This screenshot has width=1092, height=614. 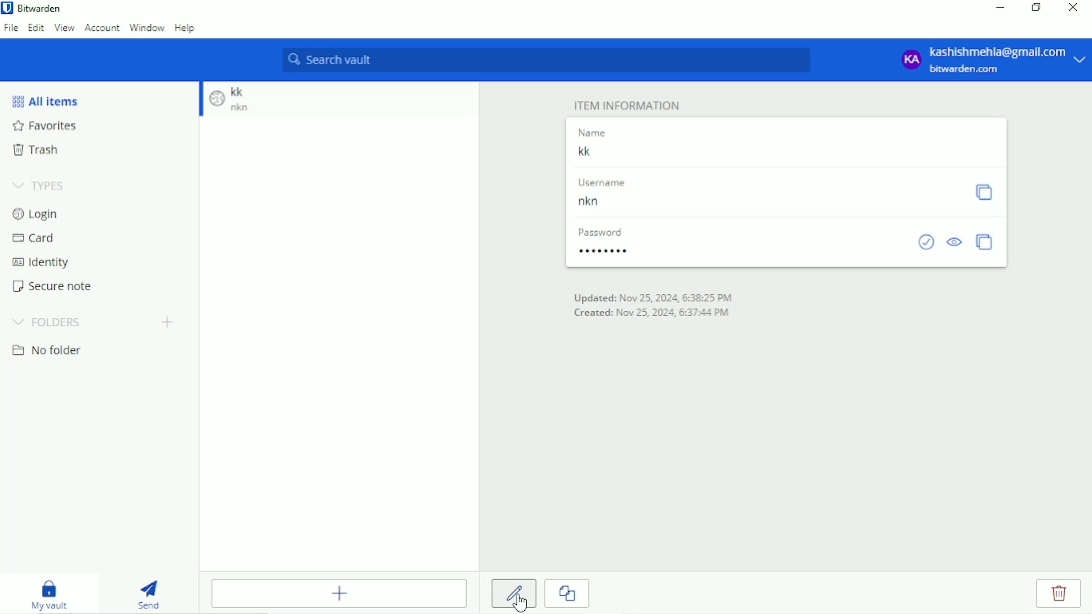 I want to click on Help, so click(x=186, y=29).